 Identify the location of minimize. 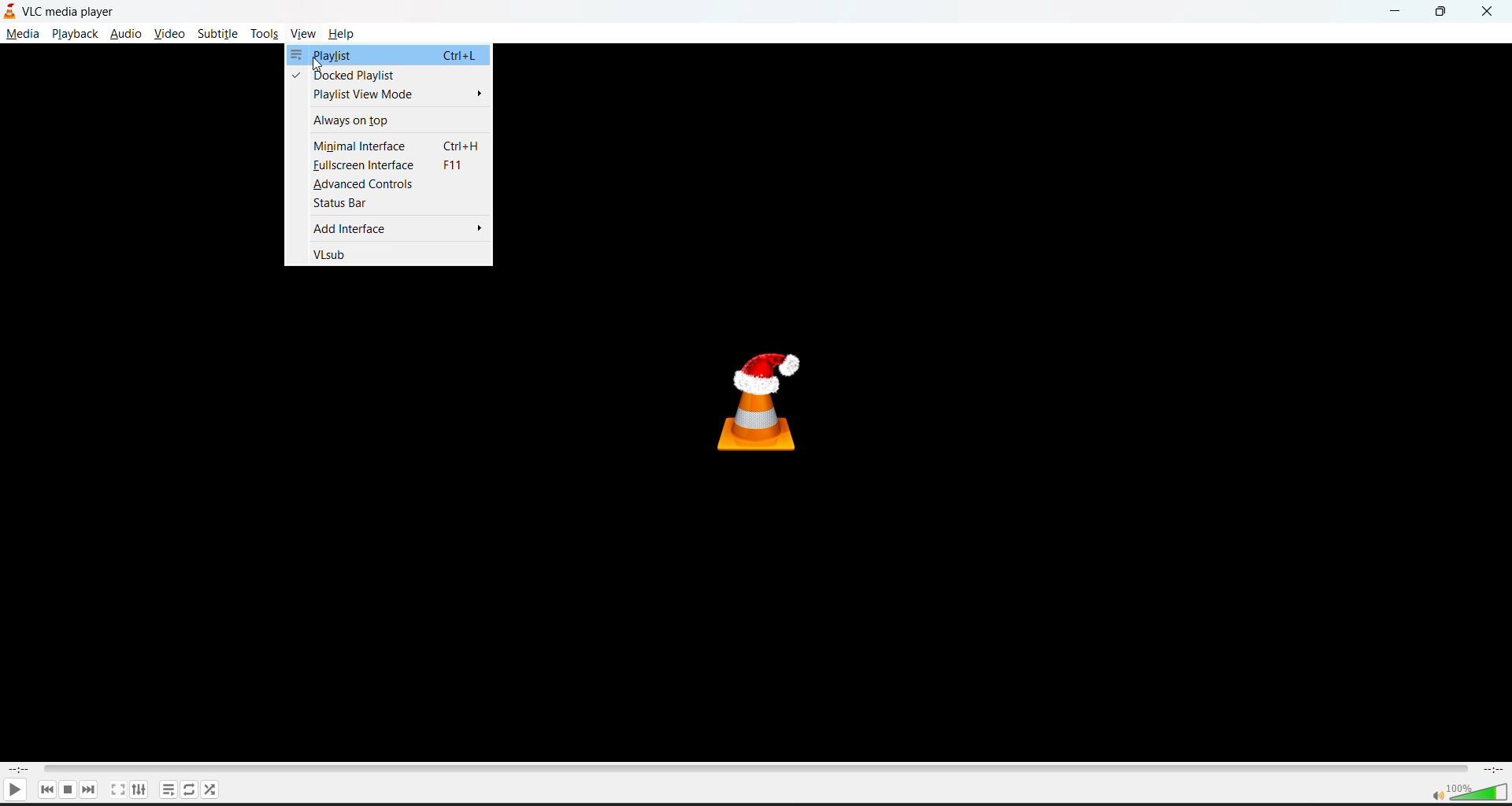
(1401, 13).